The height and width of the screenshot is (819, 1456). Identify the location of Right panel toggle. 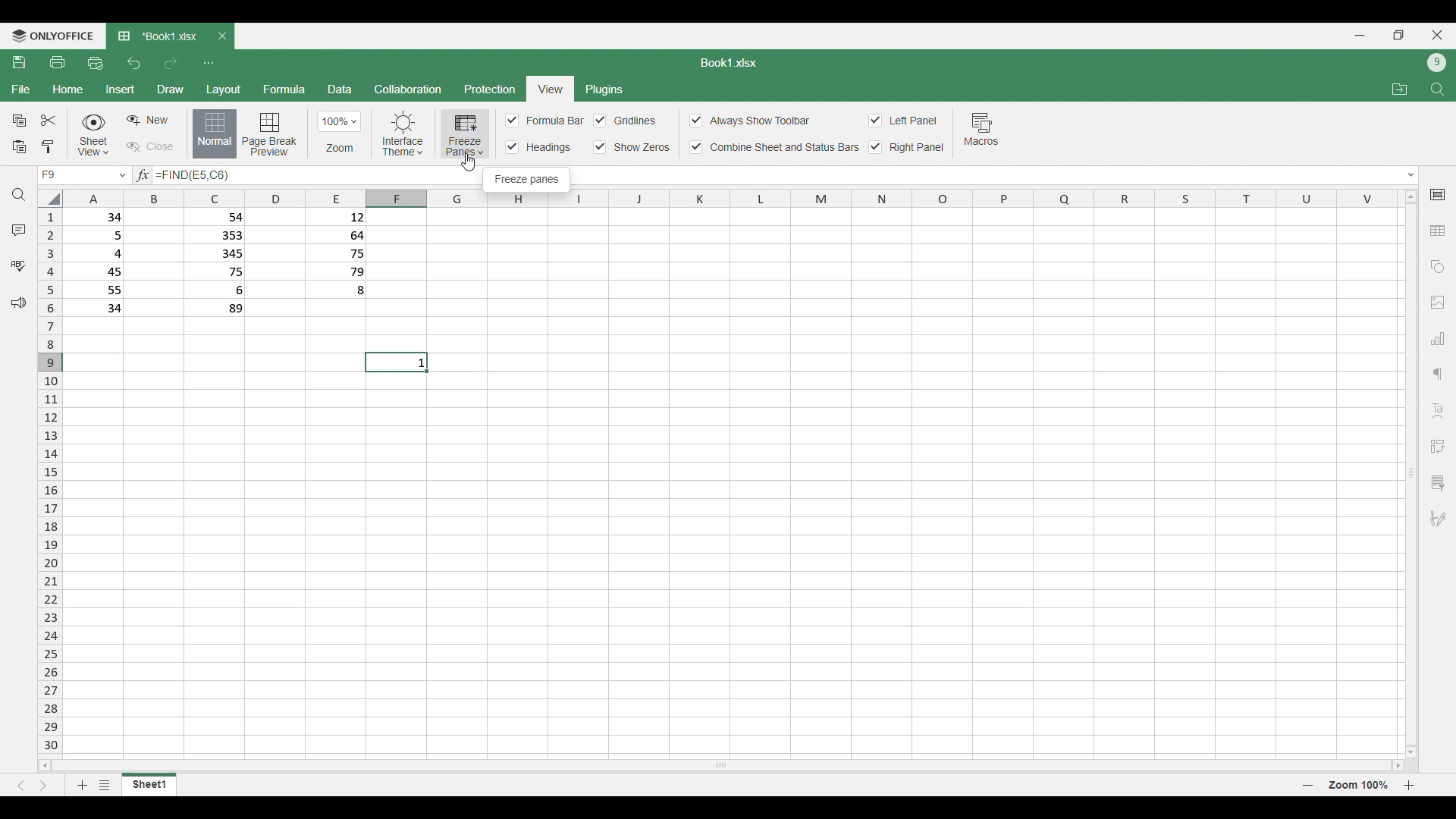
(905, 147).